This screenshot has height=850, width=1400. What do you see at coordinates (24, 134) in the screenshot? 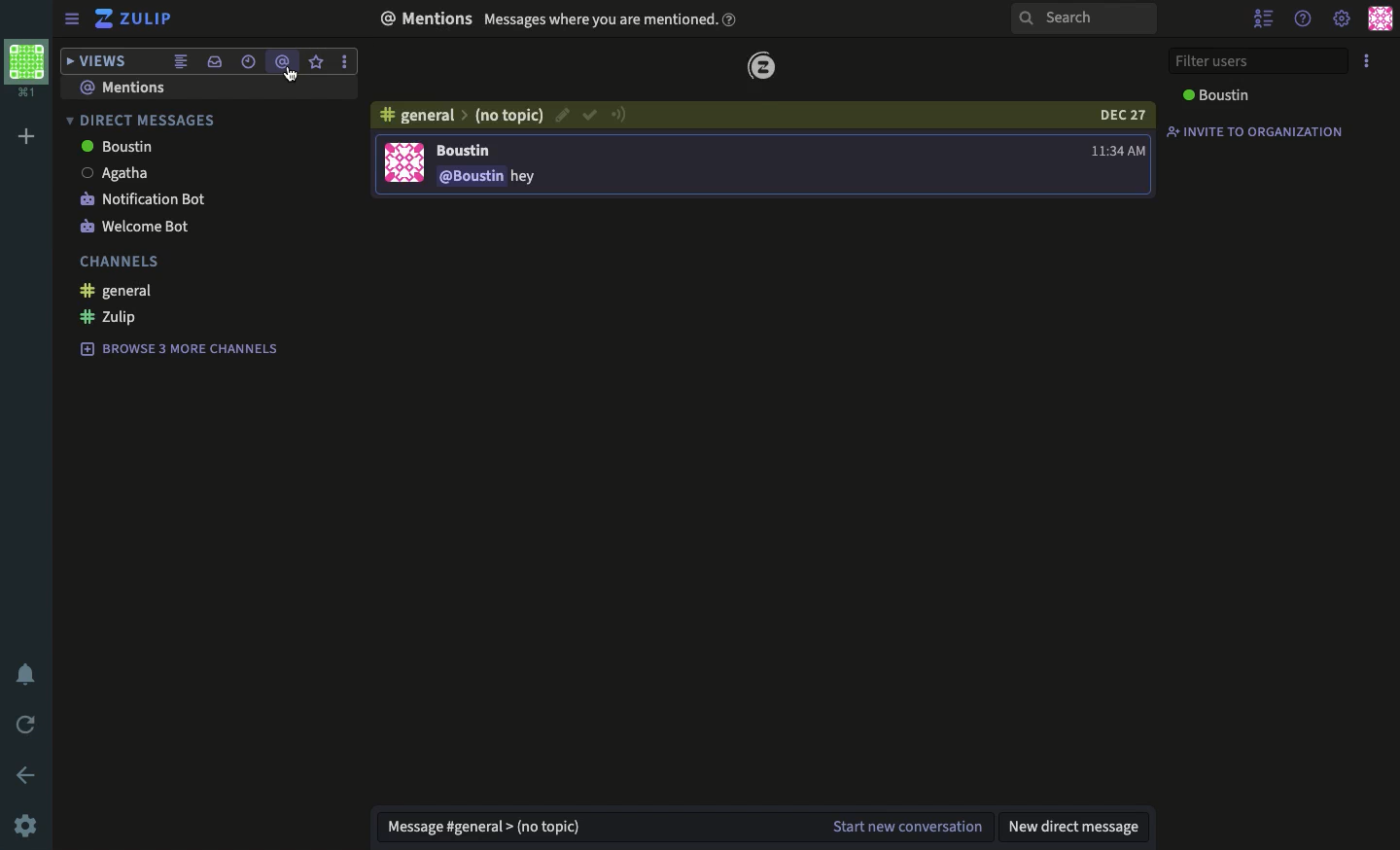
I see `add workspace` at bounding box center [24, 134].